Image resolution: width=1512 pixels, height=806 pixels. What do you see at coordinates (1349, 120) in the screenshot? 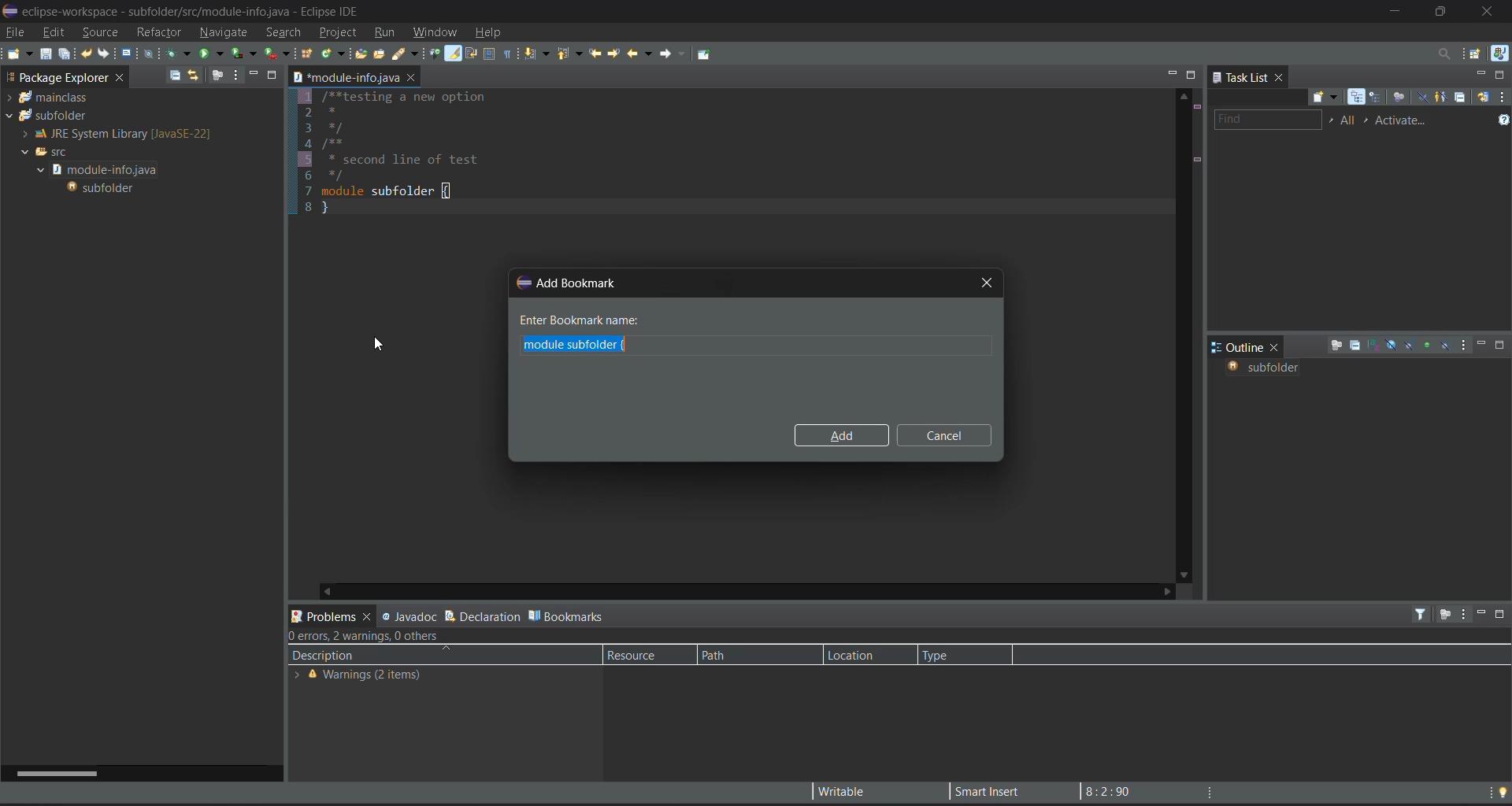
I see `all` at bounding box center [1349, 120].